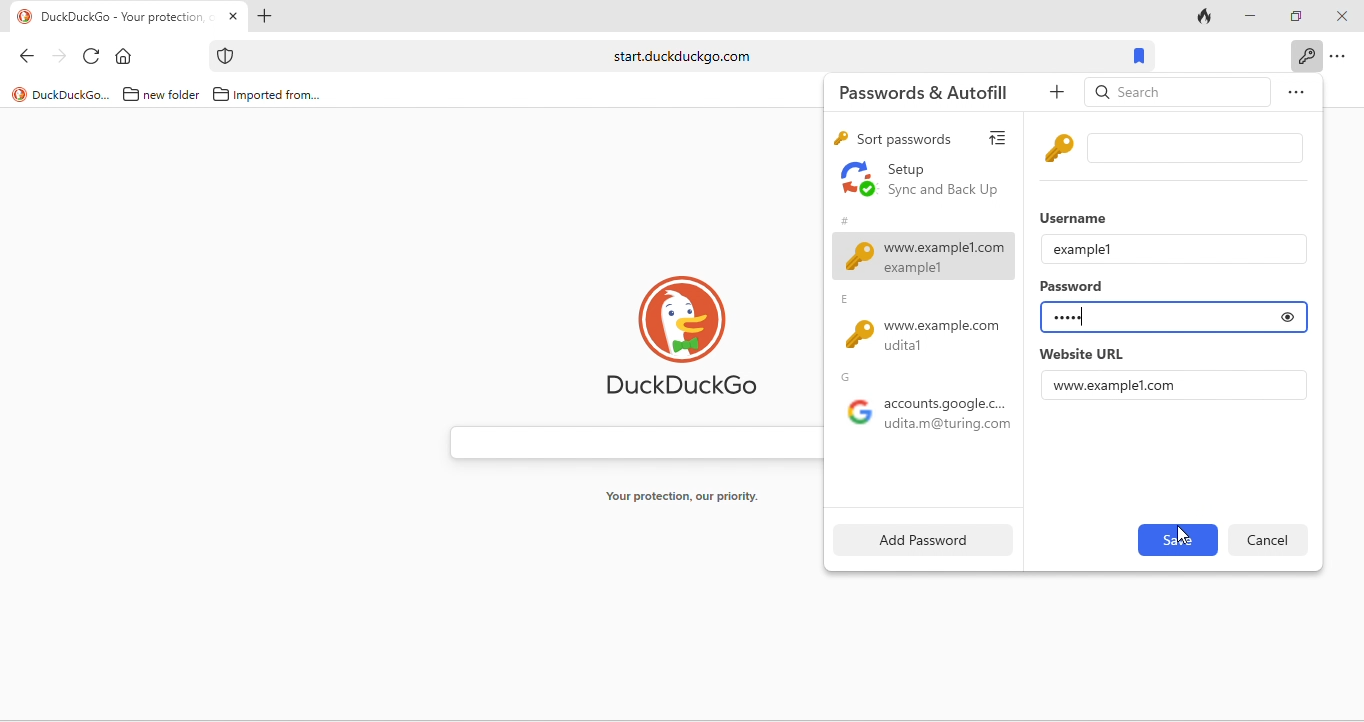  I want to click on forward, so click(56, 54).